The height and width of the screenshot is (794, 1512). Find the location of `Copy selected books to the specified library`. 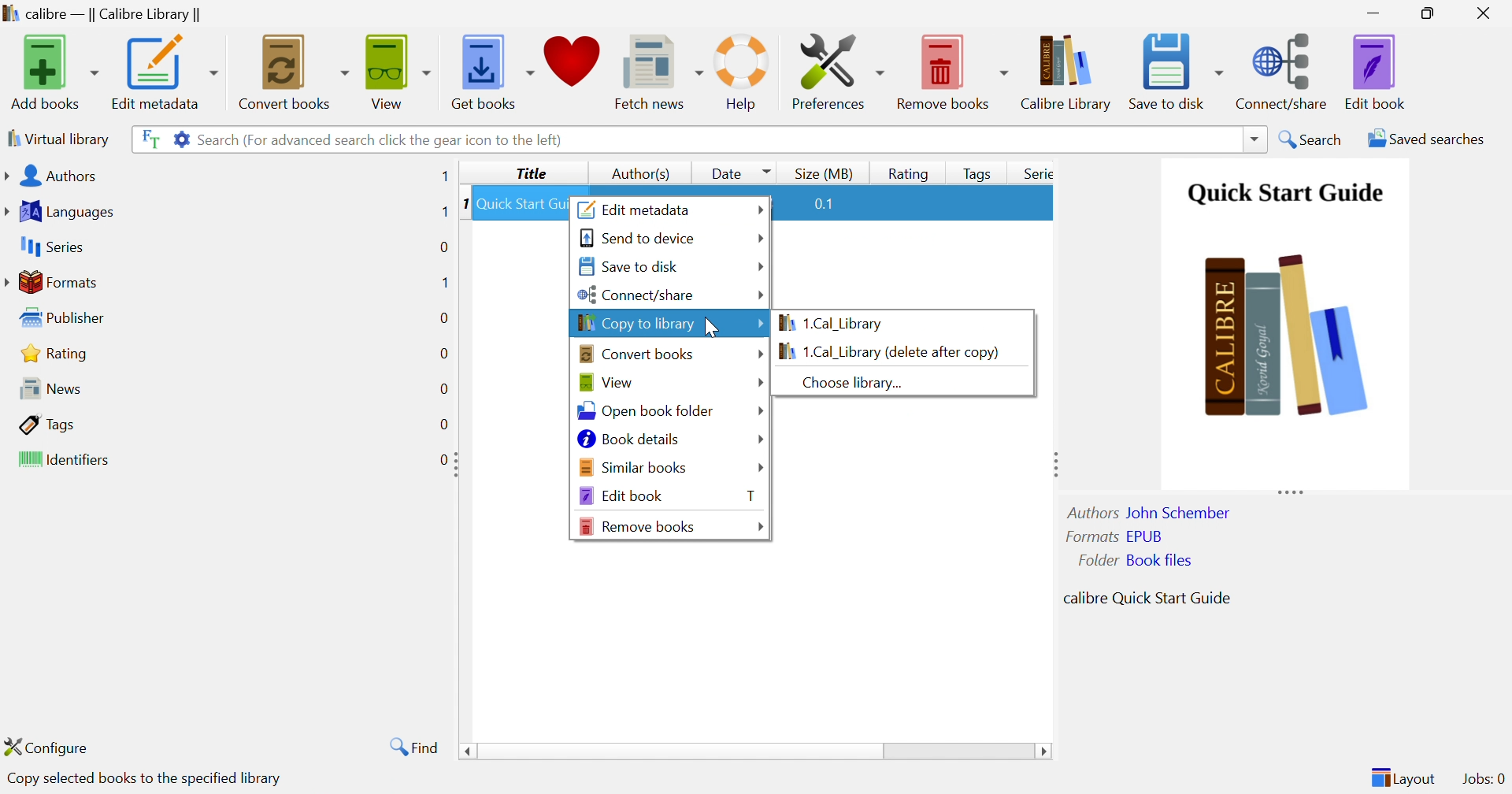

Copy selected books to the specified library is located at coordinates (150, 779).